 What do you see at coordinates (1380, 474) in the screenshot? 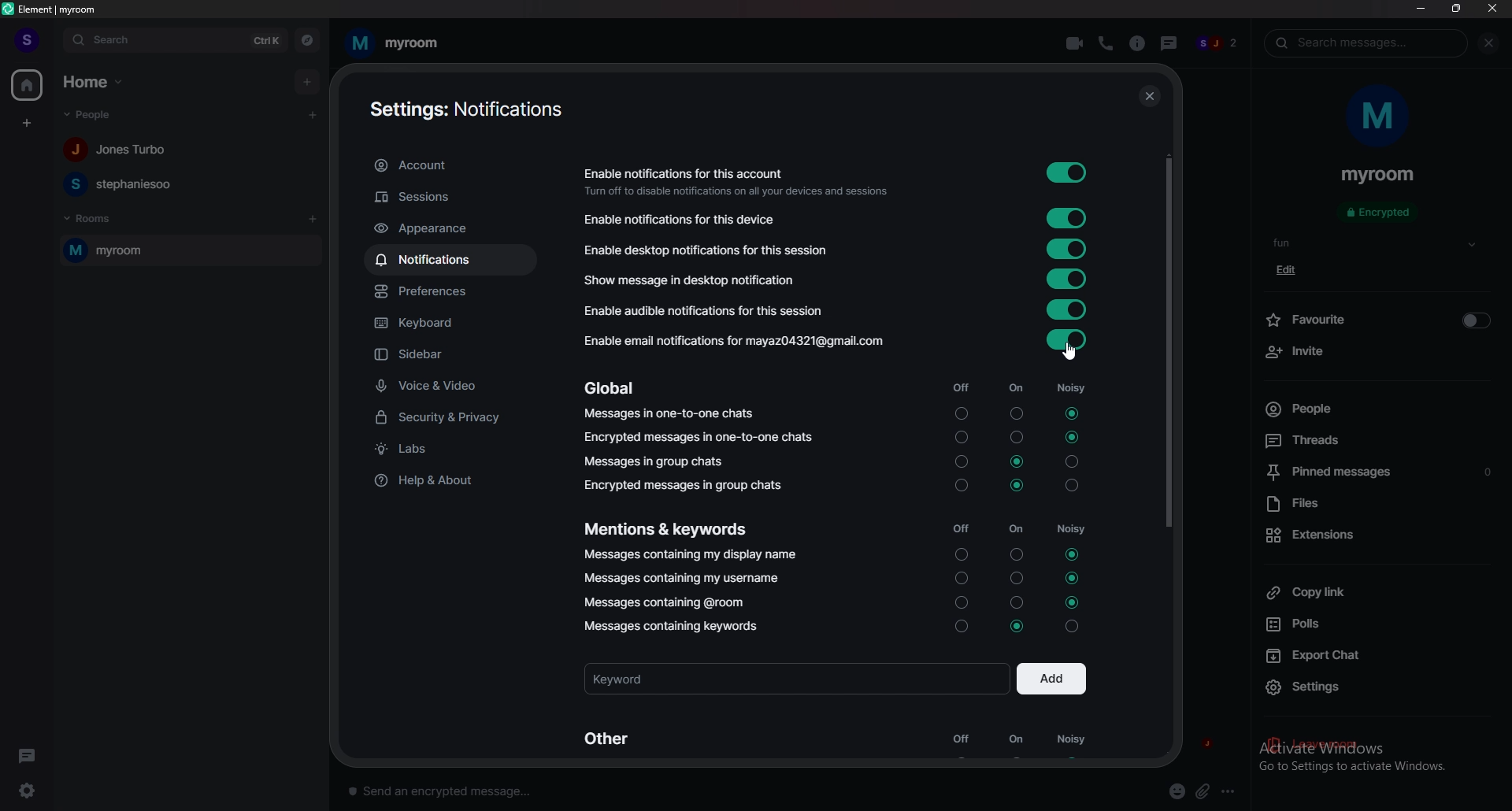
I see `pinned messages` at bounding box center [1380, 474].